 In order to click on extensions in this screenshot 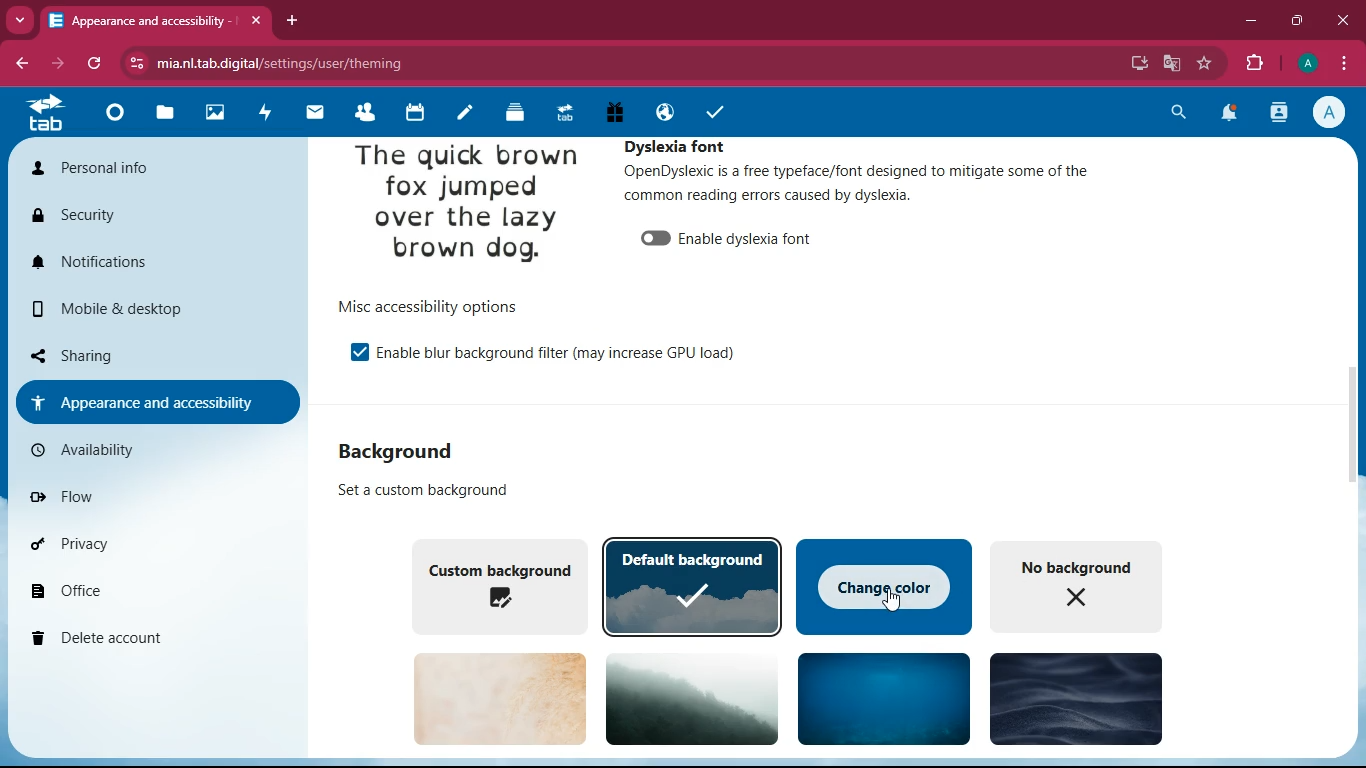, I will do `click(1256, 61)`.